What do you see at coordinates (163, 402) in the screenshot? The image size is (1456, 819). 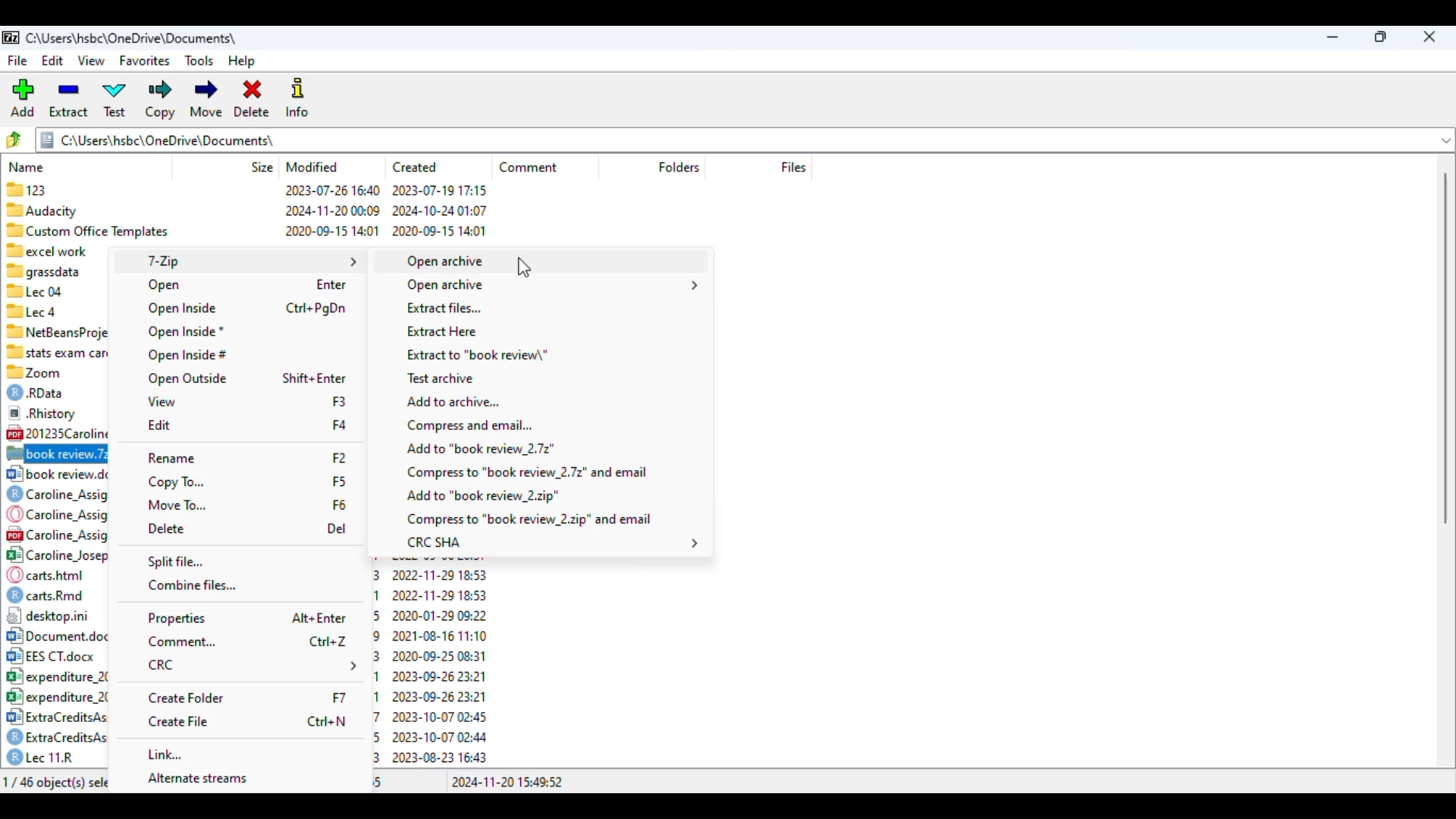 I see `view` at bounding box center [163, 402].